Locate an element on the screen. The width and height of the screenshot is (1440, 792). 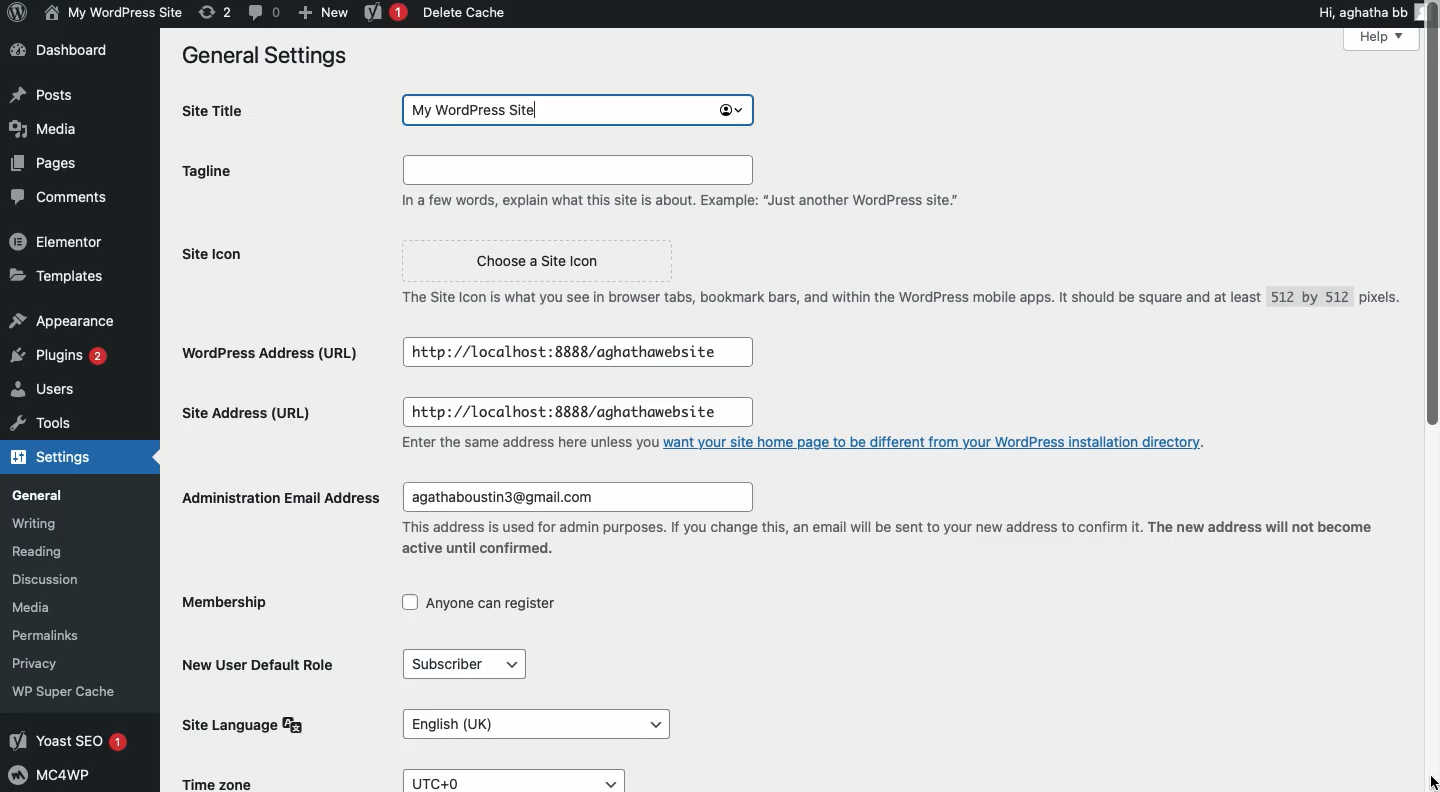
Hi, aghatha bb is located at coordinates (1364, 13).